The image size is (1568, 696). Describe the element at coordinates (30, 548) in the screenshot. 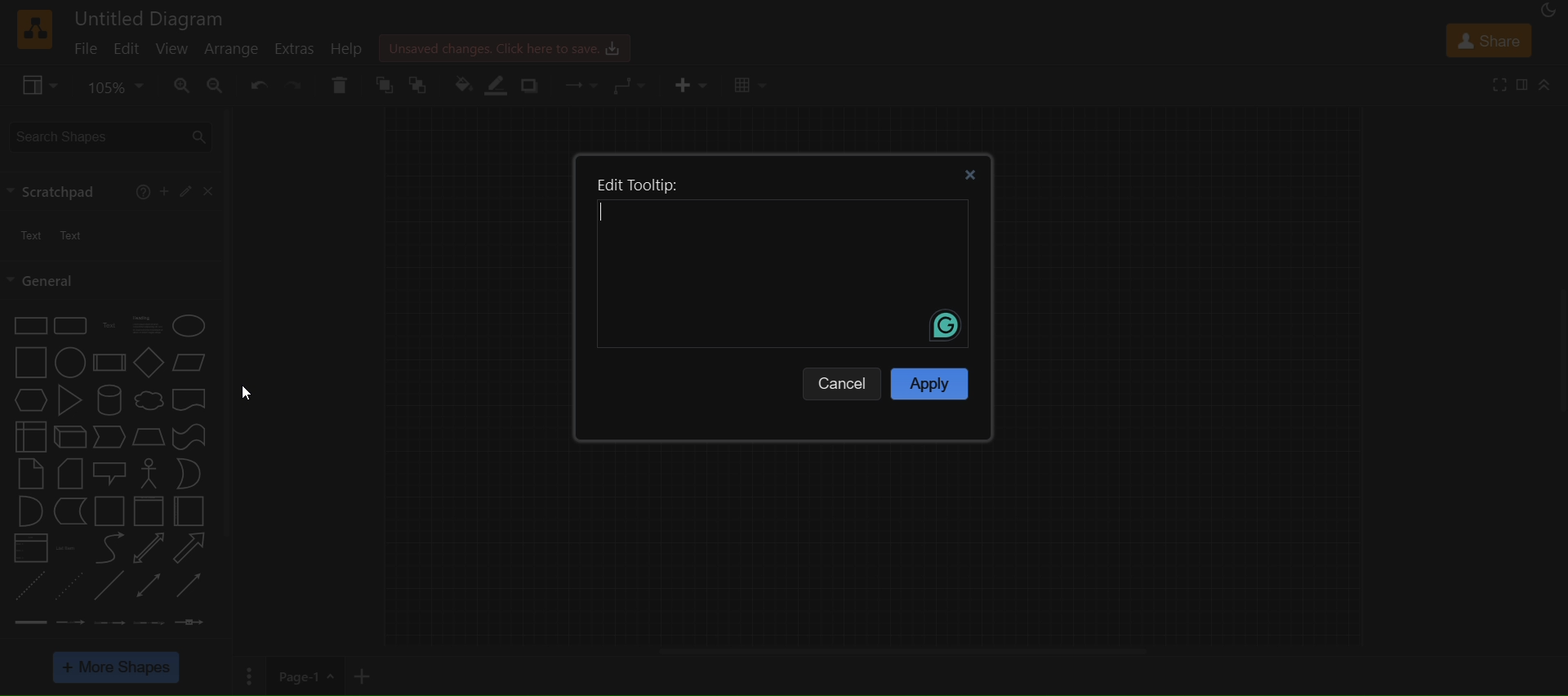

I see `list` at that location.